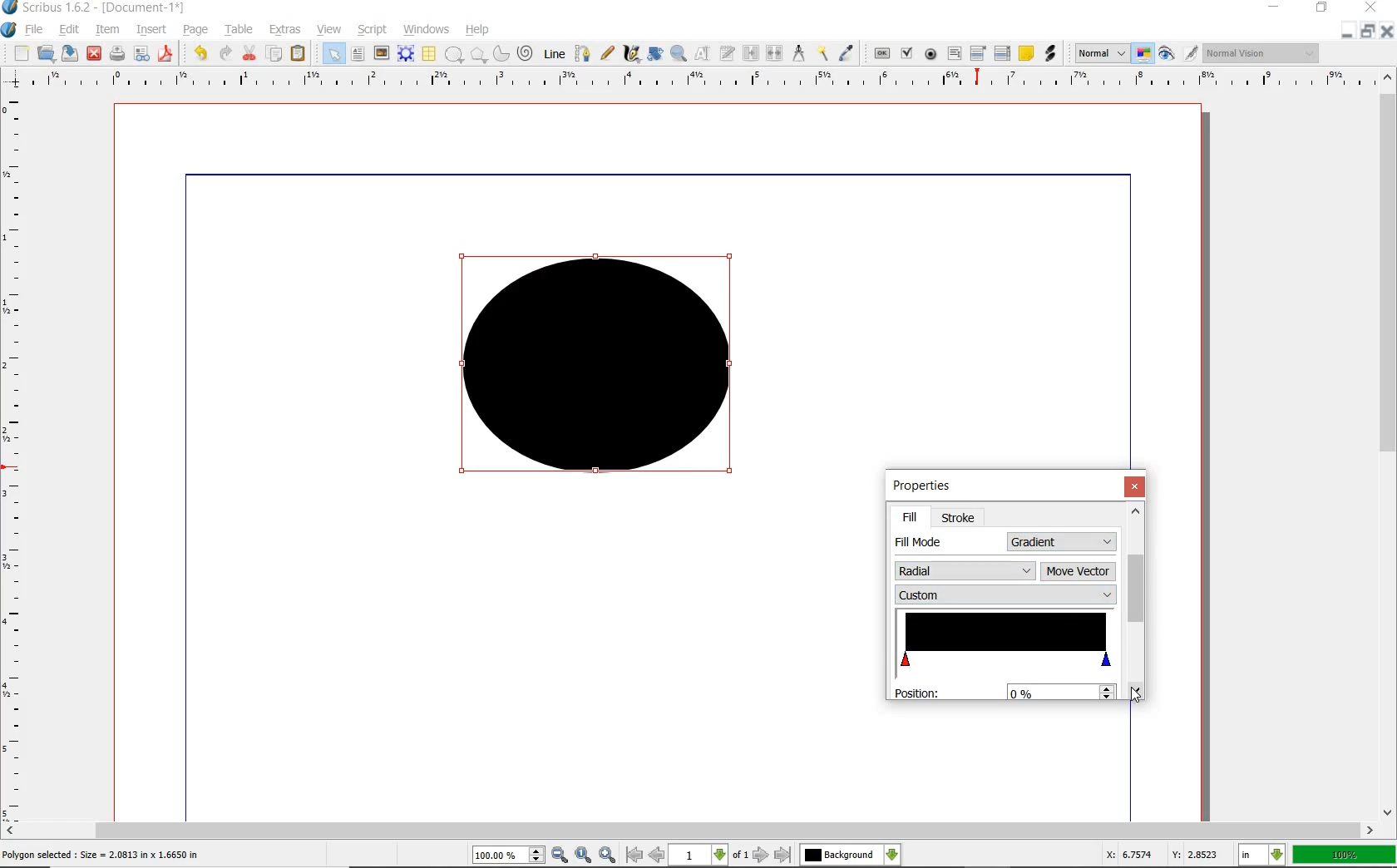 The height and width of the screenshot is (868, 1397). I want to click on ZOOM FACTOR, so click(1344, 856).